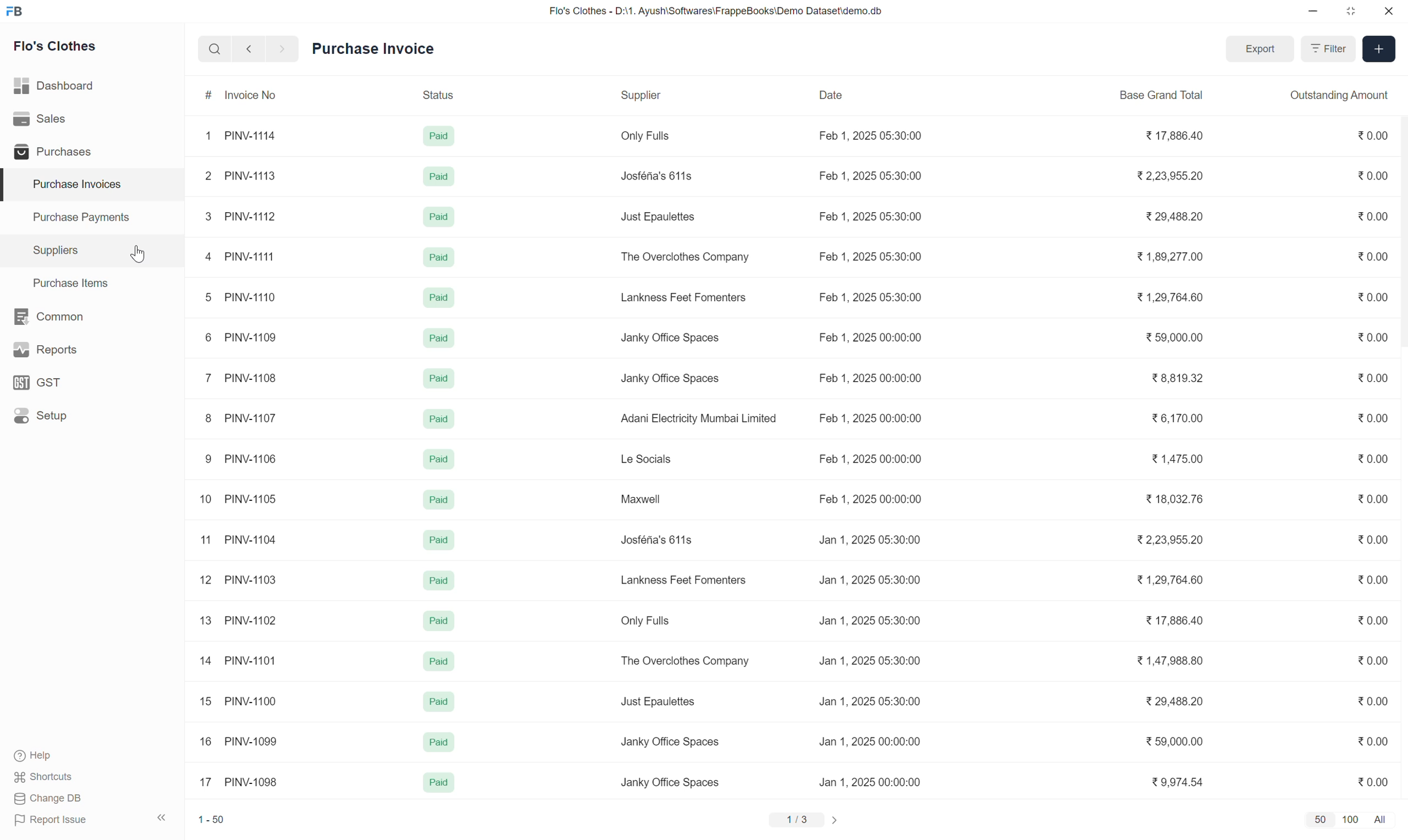  Describe the element at coordinates (439, 581) in the screenshot. I see `paid` at that location.